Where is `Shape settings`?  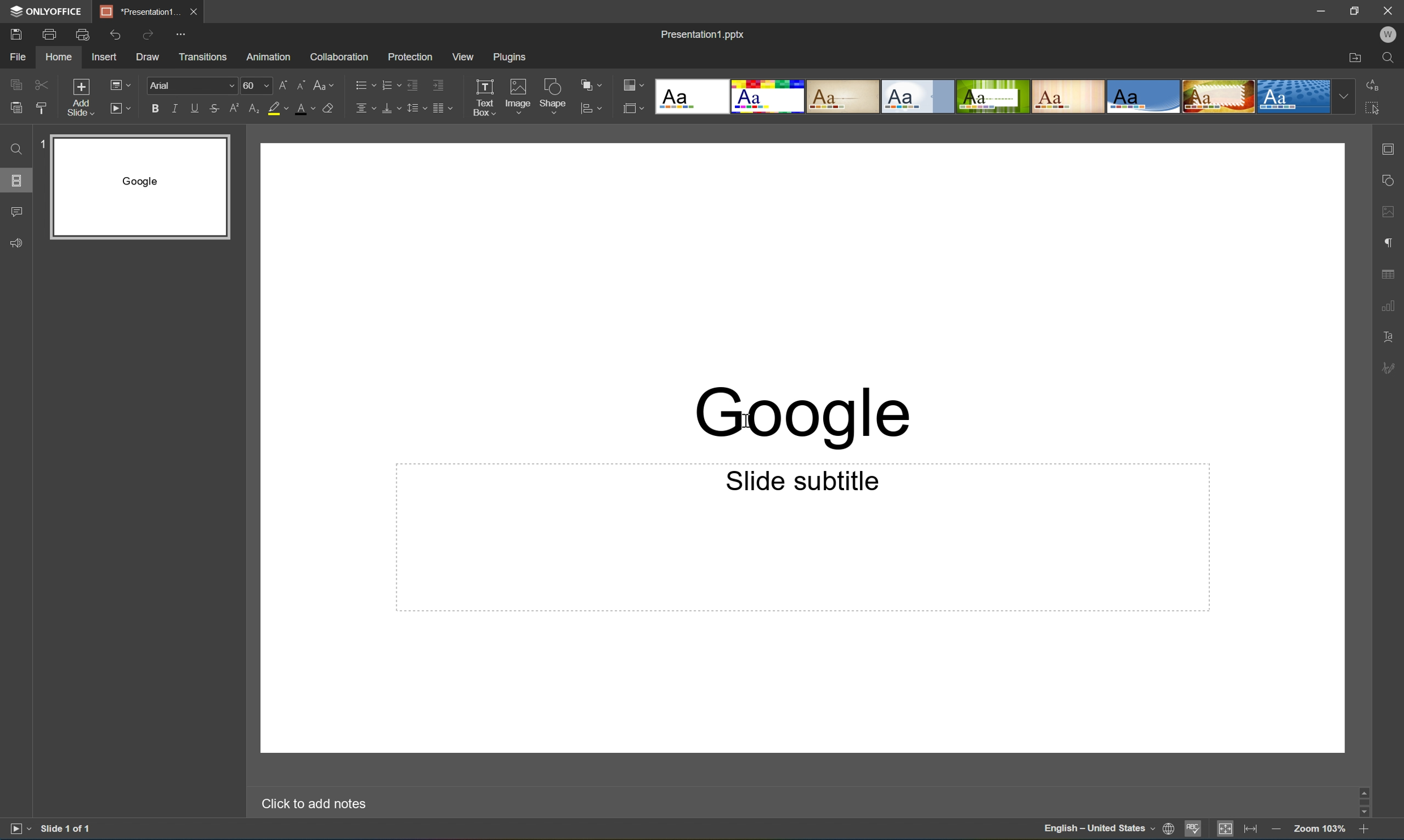
Shape settings is located at coordinates (1390, 181).